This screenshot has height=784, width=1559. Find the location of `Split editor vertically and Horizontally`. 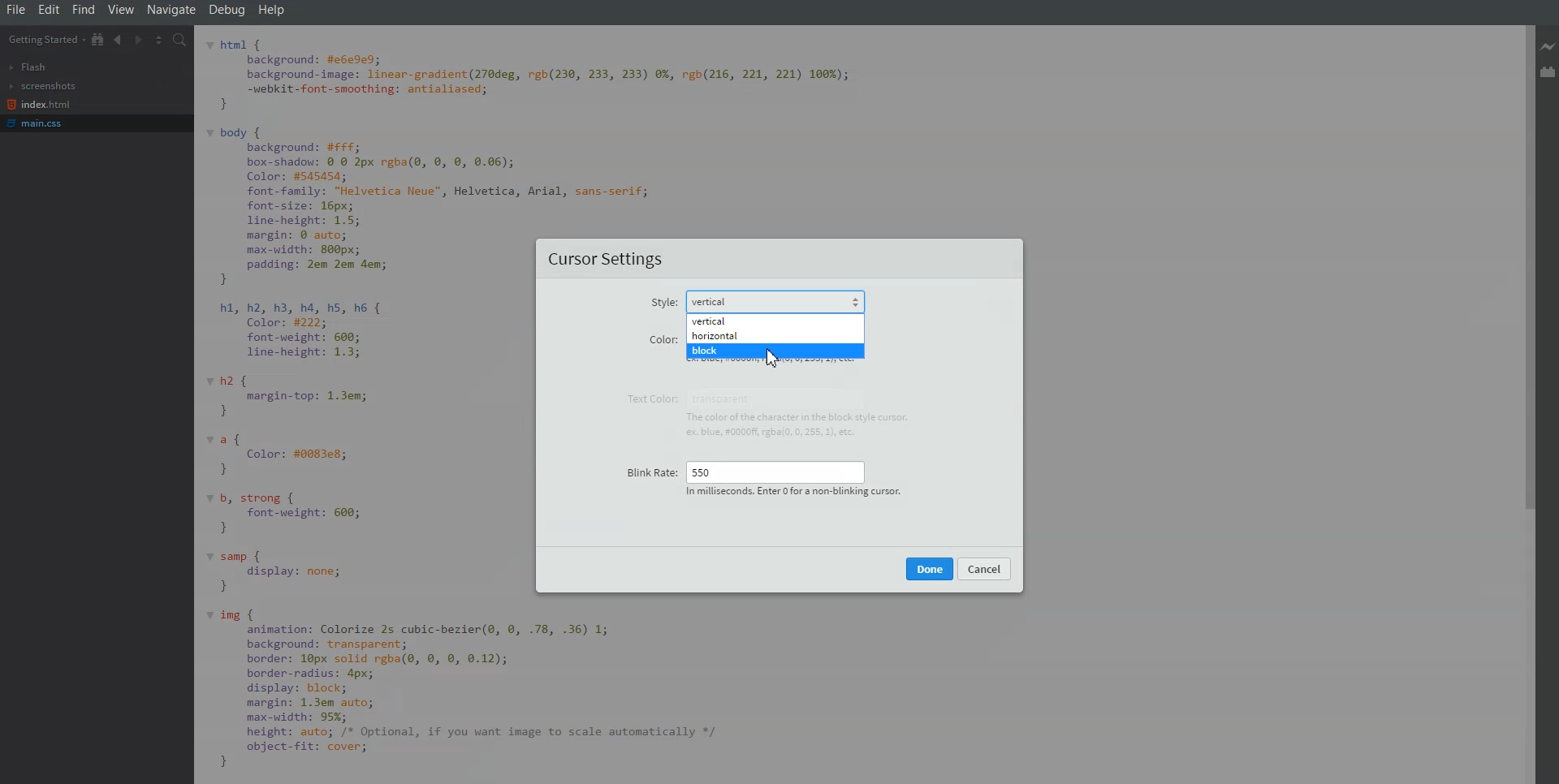

Split editor vertically and Horizontally is located at coordinates (159, 39).